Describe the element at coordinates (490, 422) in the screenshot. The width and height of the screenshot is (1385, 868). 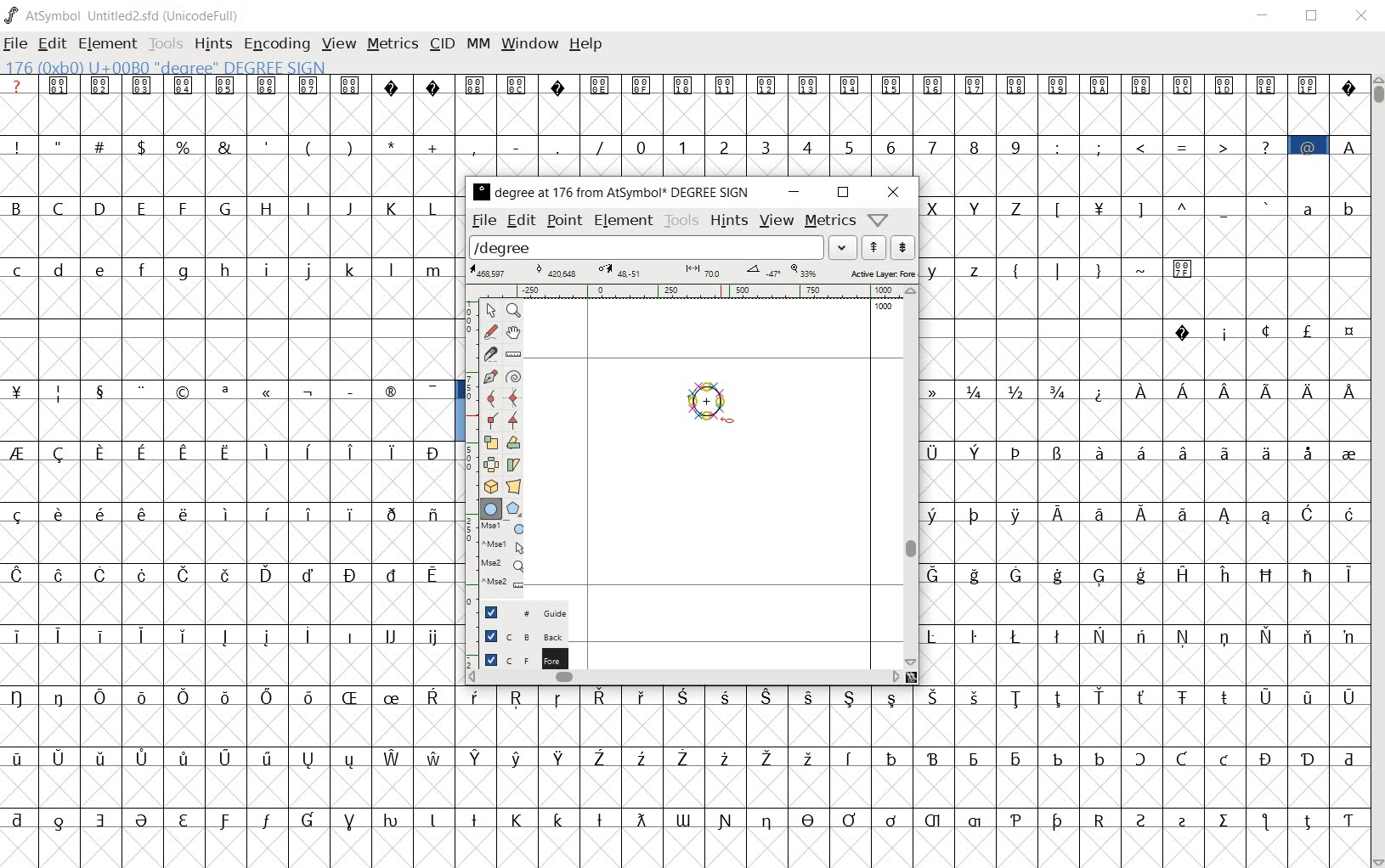
I see `Add a corner point` at that location.